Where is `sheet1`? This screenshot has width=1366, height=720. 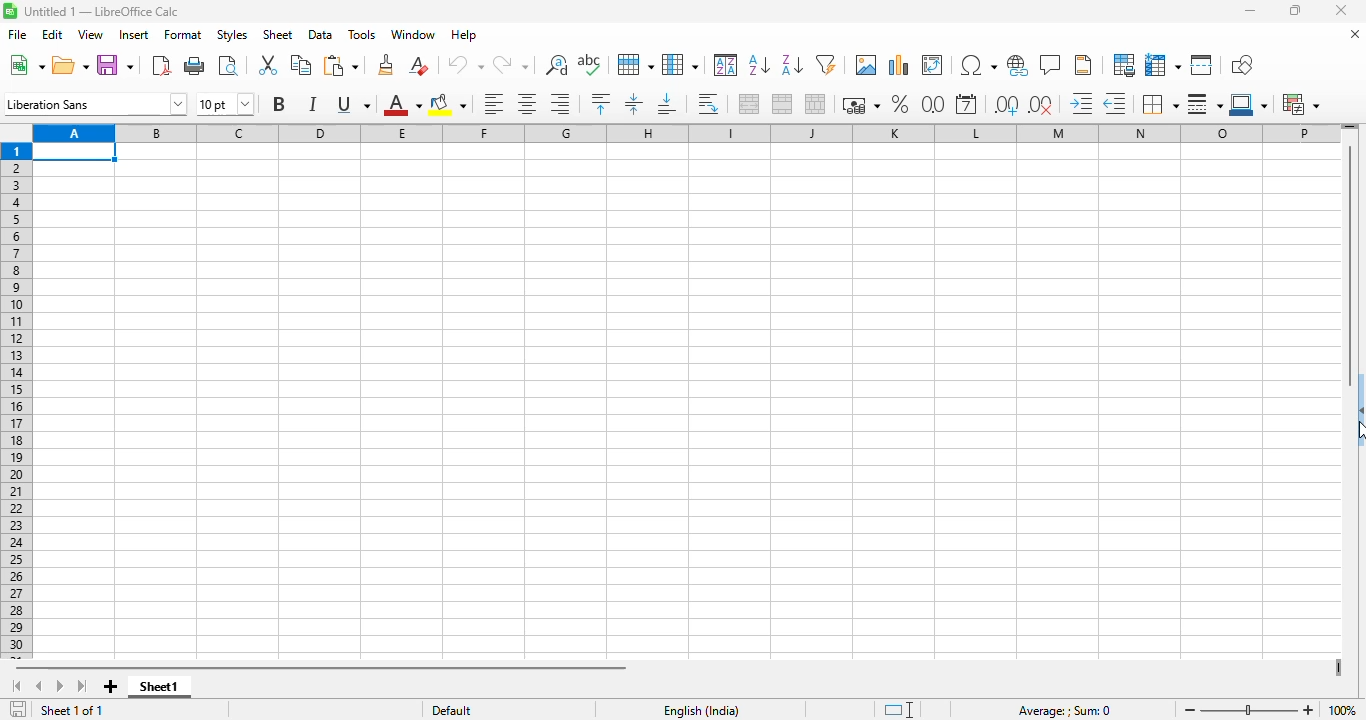 sheet1 is located at coordinates (159, 687).